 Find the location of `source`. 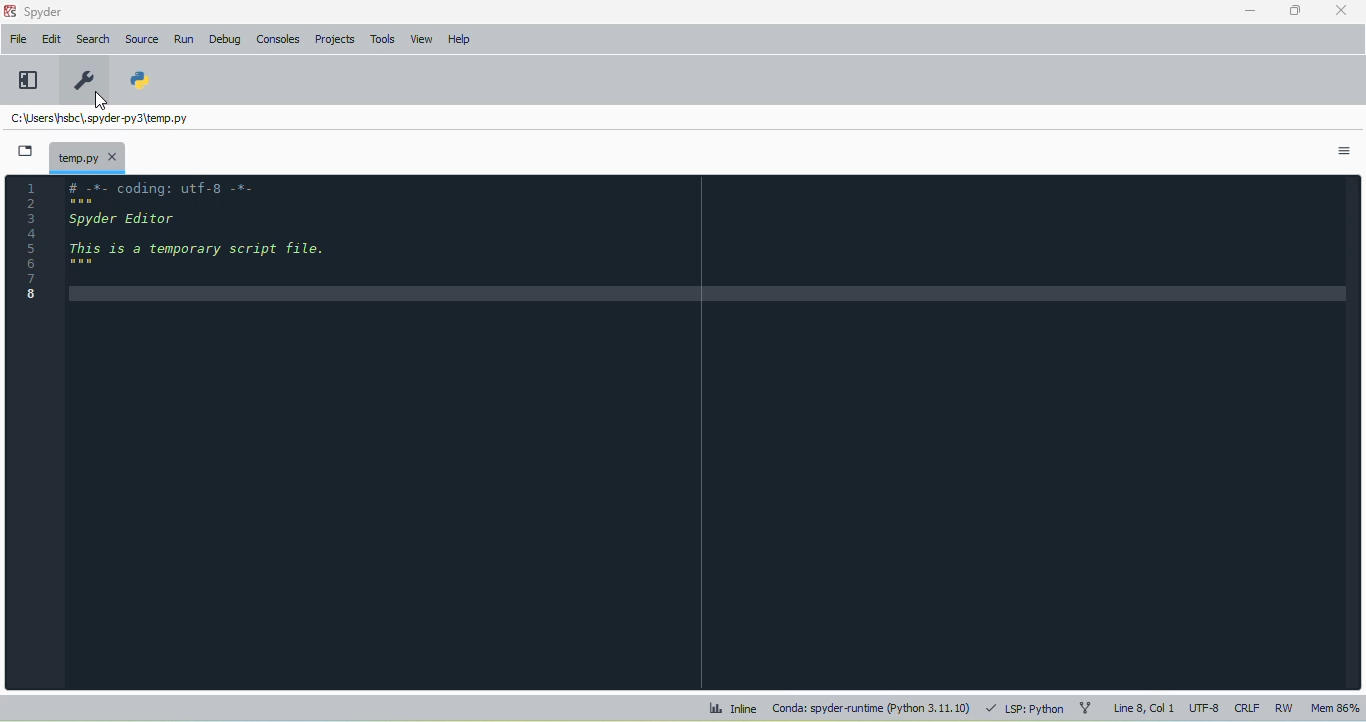

source is located at coordinates (141, 39).